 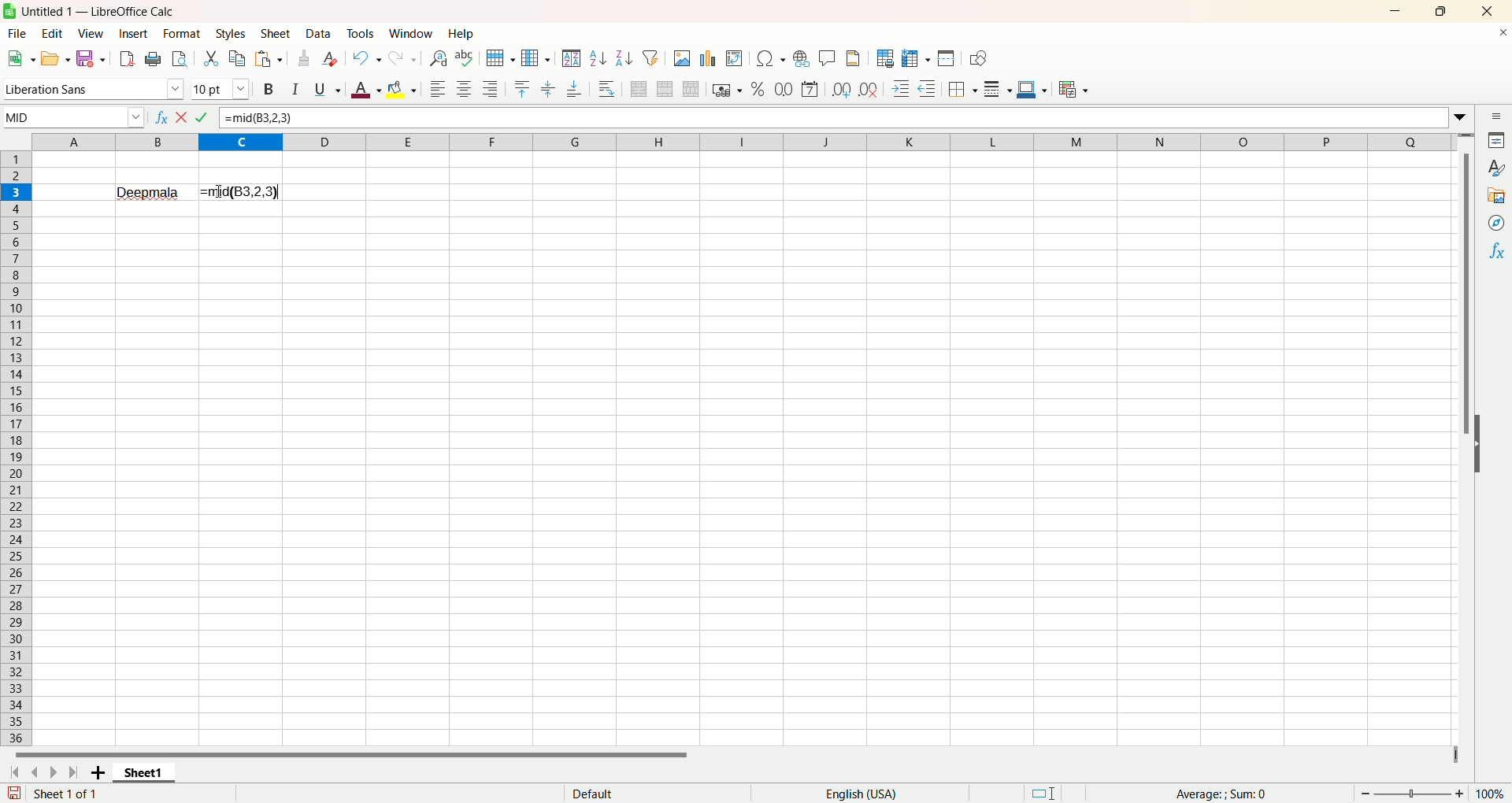 I want to click on Format as date, so click(x=810, y=90).